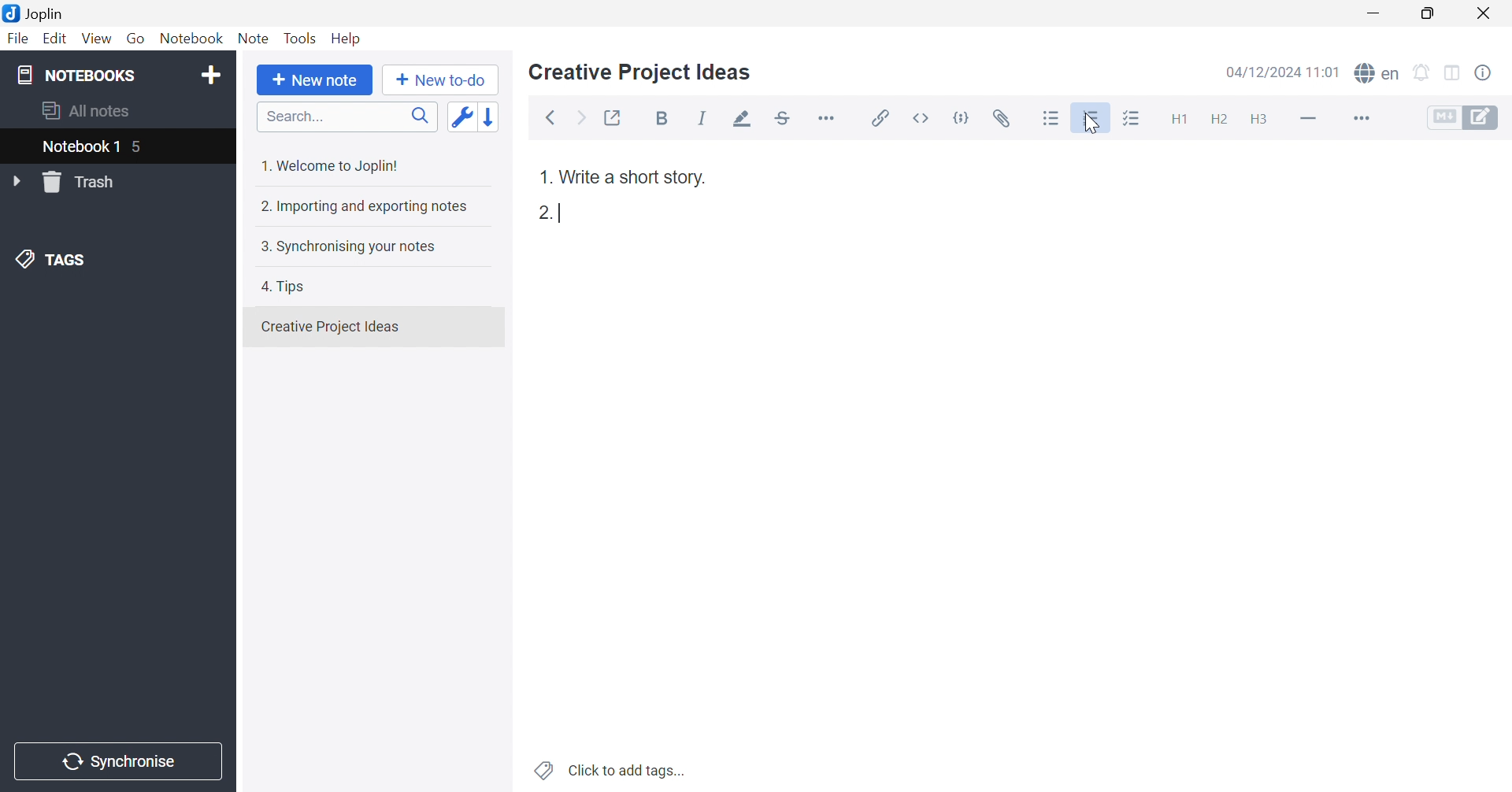  What do you see at coordinates (1452, 71) in the screenshot?
I see `Toggle editors layout` at bounding box center [1452, 71].